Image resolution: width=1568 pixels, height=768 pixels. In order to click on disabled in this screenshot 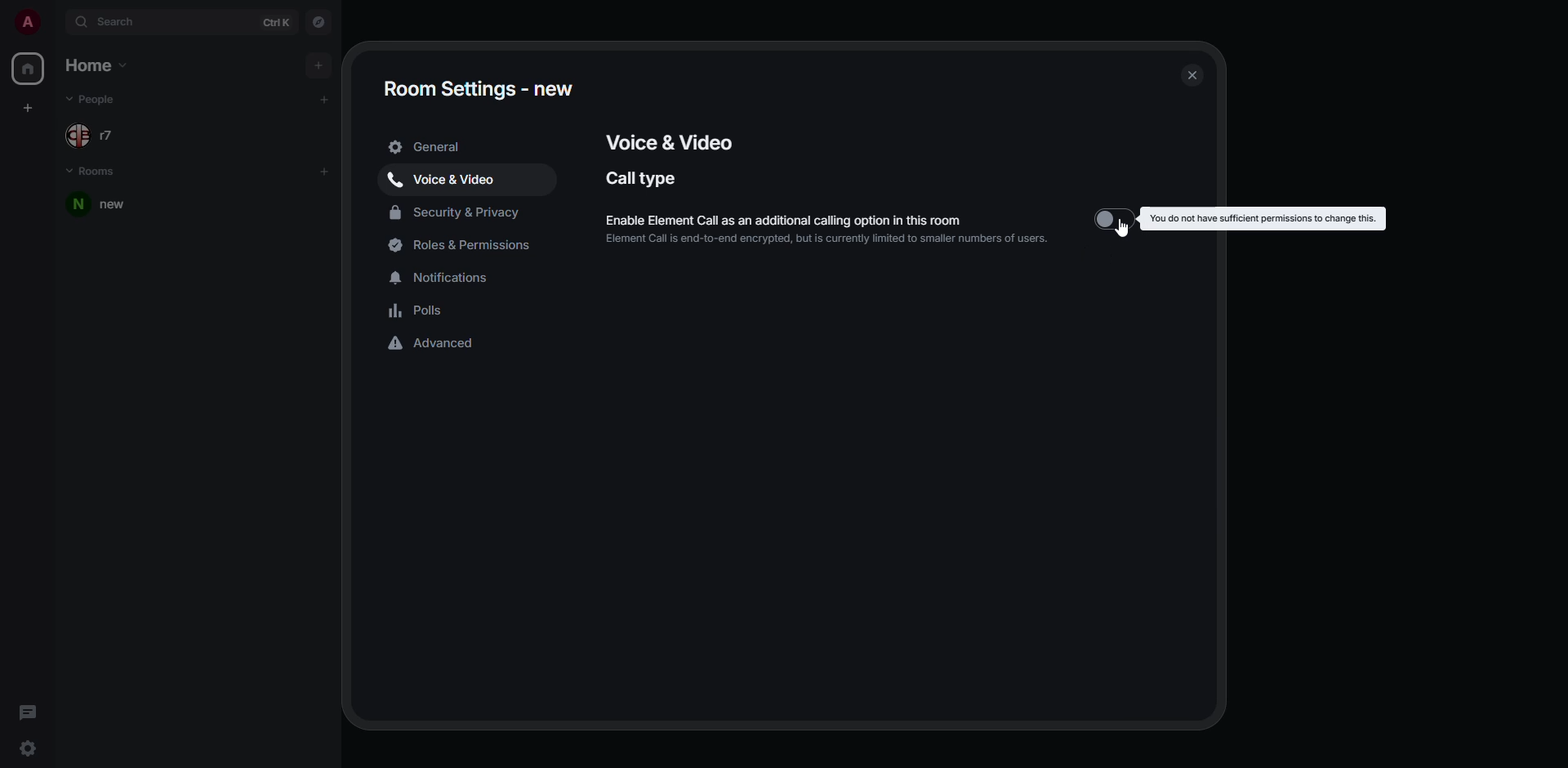, I will do `click(1114, 218)`.